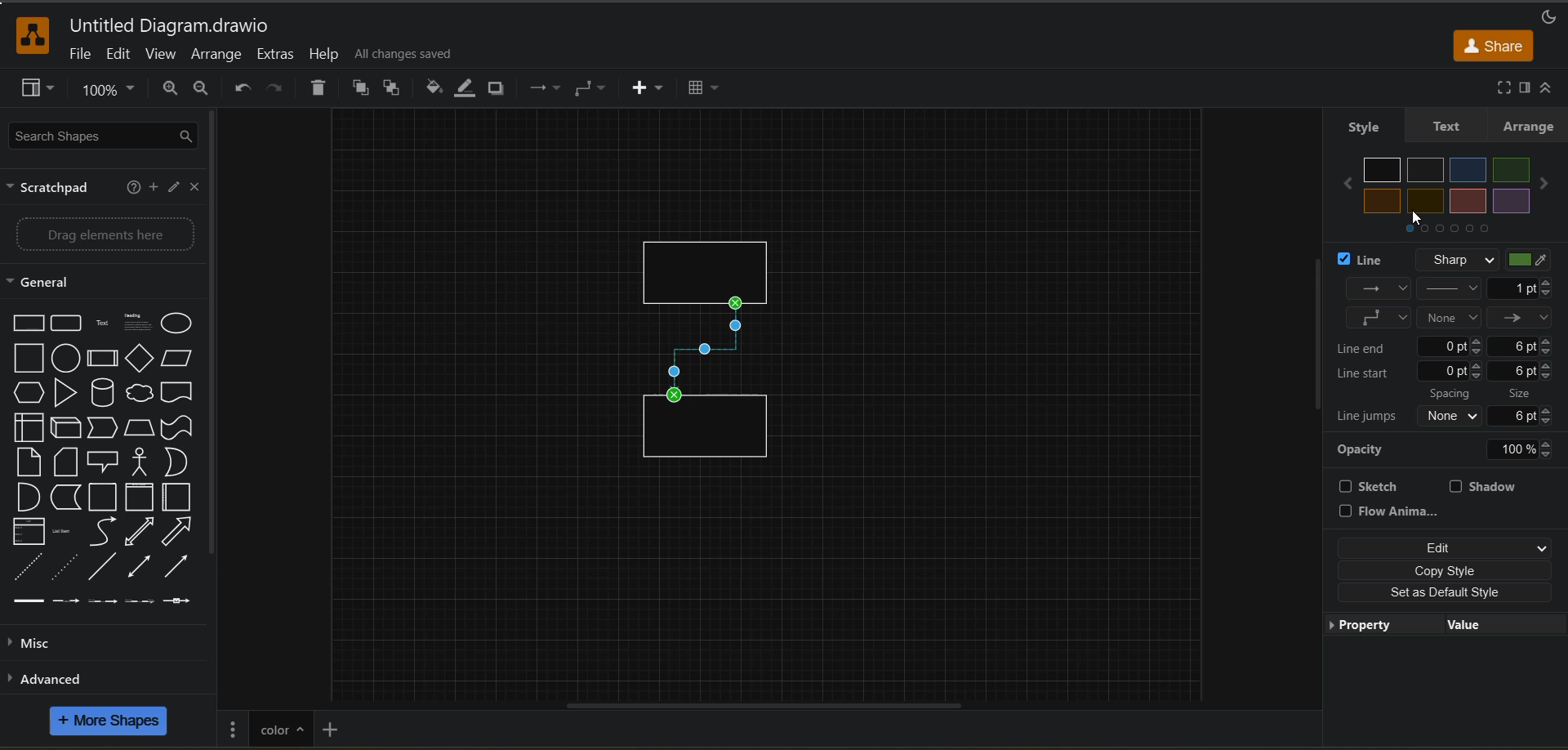 The image size is (1568, 750). I want to click on edit, so click(1445, 549).